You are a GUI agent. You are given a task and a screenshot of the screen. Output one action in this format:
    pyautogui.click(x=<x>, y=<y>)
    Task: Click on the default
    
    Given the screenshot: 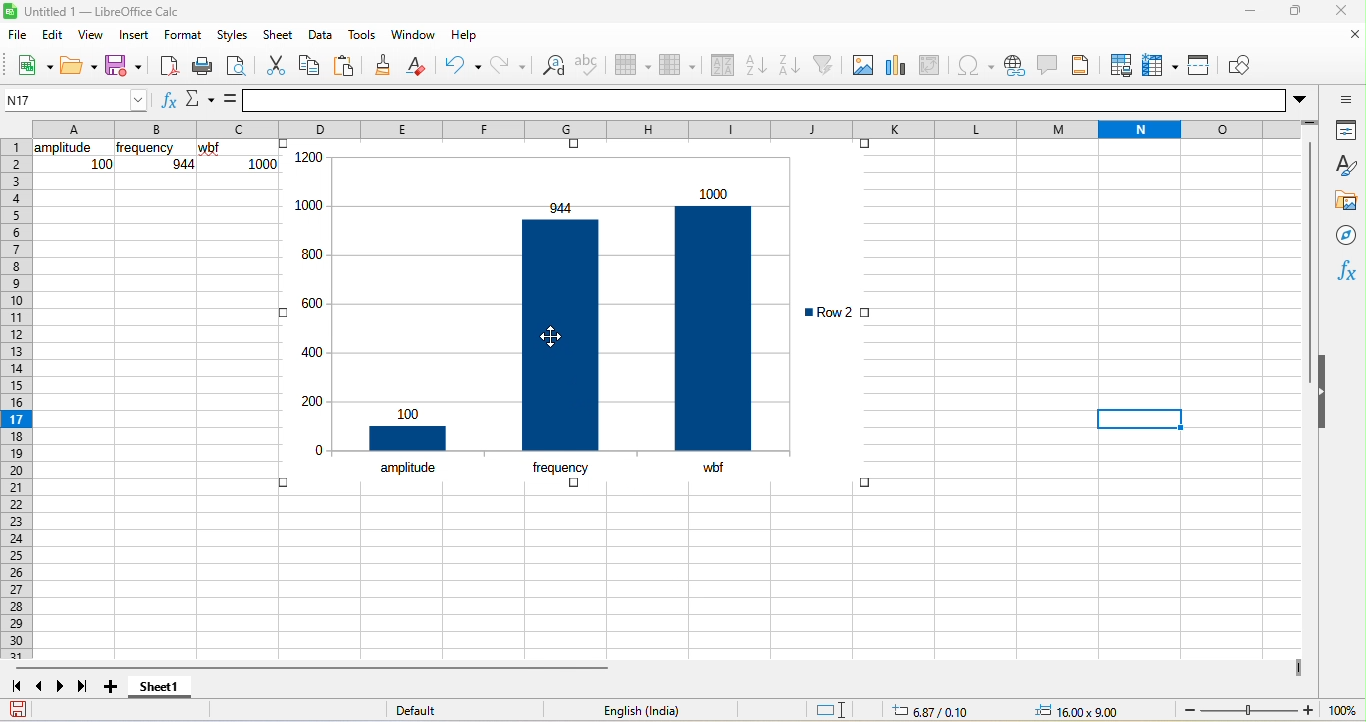 What is the action you would take?
    pyautogui.click(x=429, y=711)
    